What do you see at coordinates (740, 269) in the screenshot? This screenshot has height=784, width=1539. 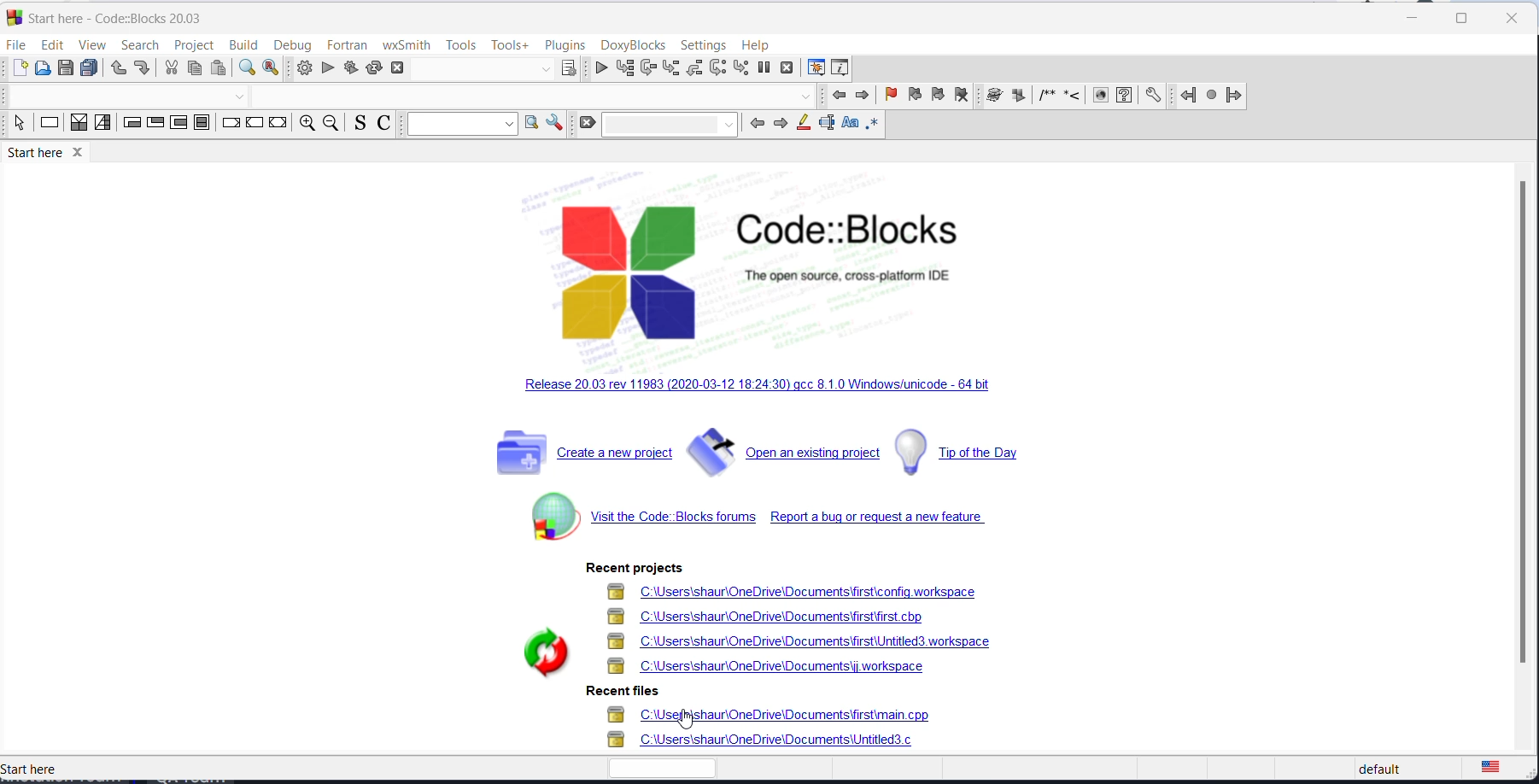 I see `codeblock logo` at bounding box center [740, 269].